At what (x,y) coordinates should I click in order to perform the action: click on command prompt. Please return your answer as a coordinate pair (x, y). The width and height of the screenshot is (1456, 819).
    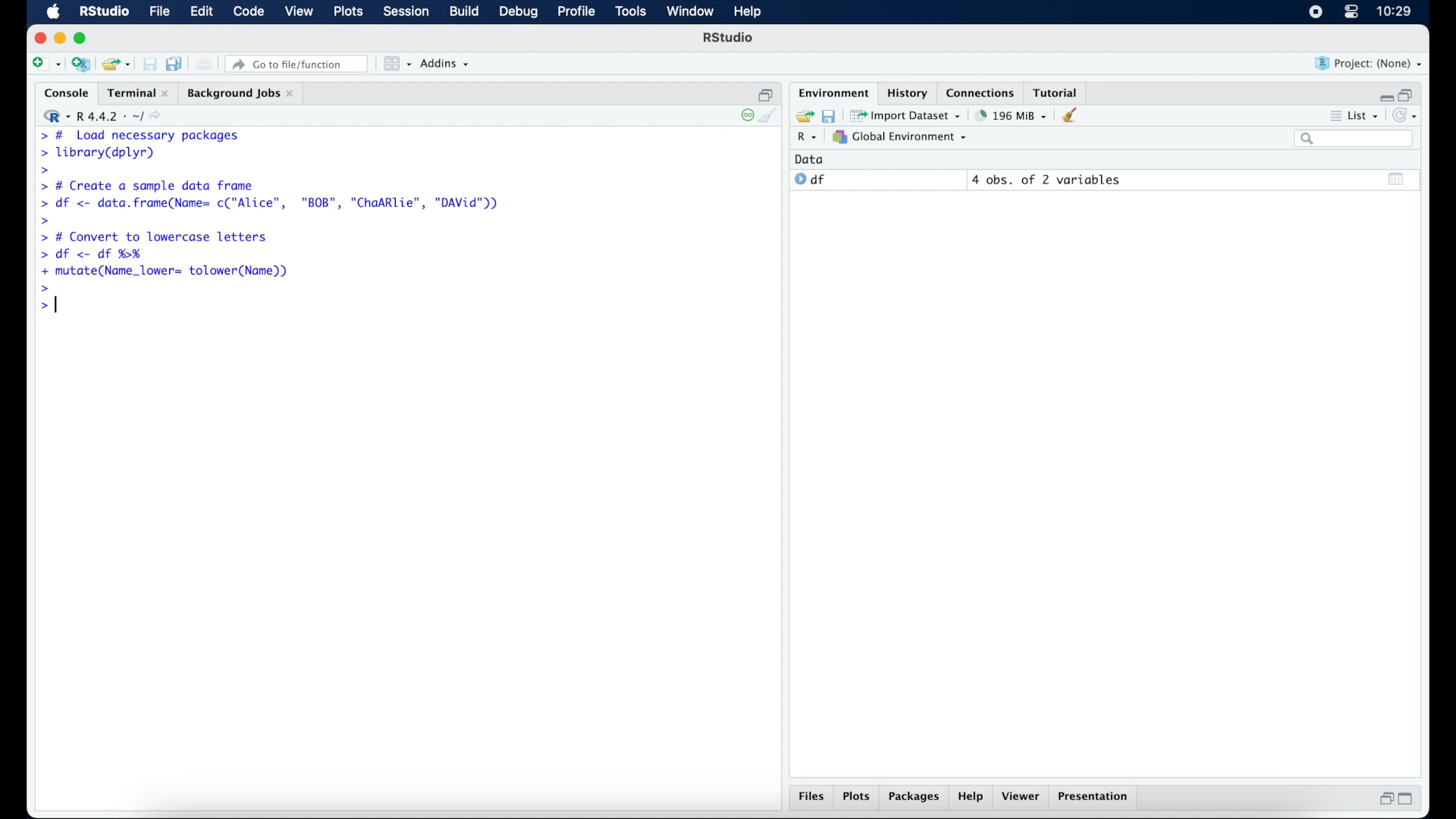
    Looking at the image, I should click on (42, 171).